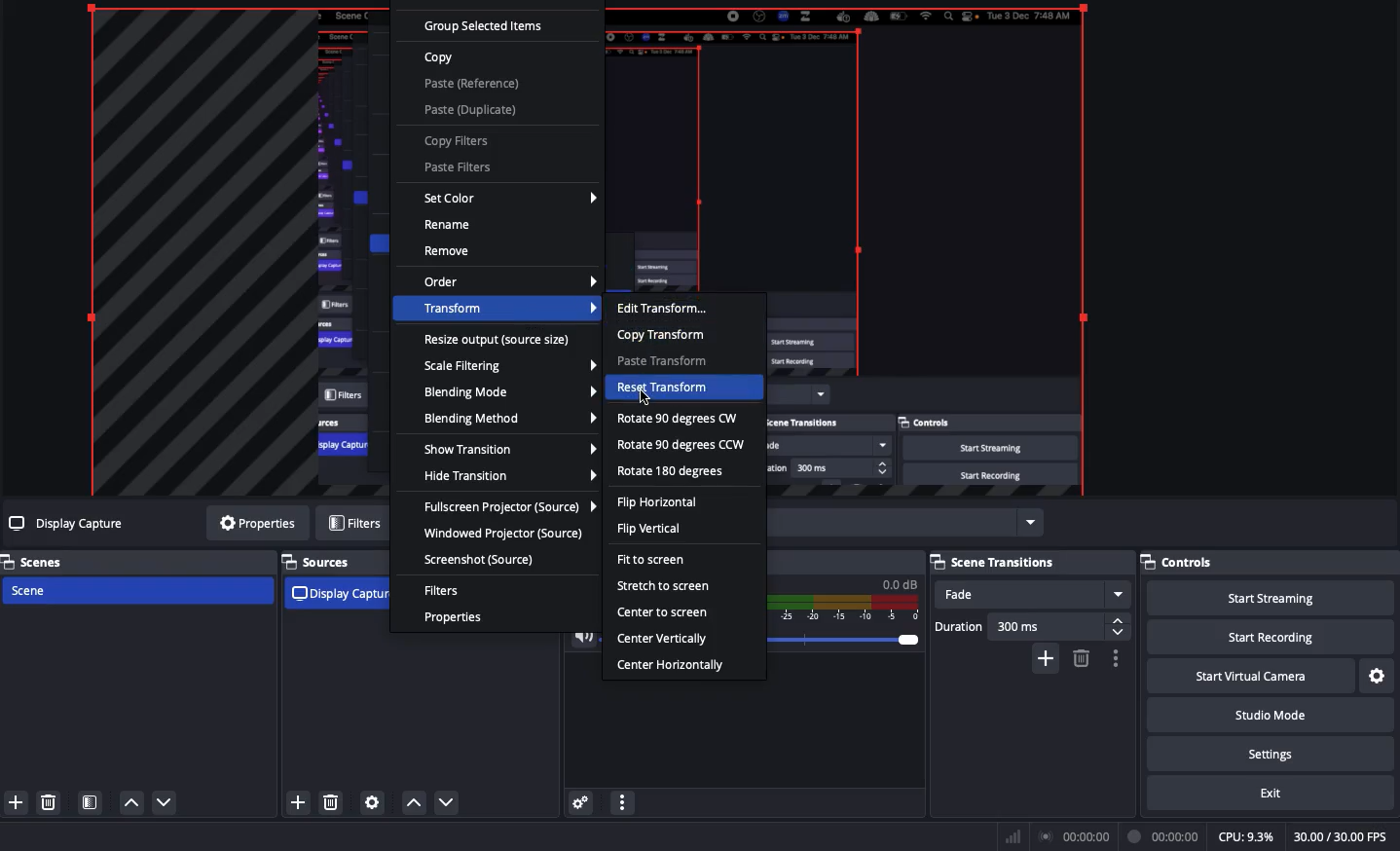 The image size is (1400, 851). What do you see at coordinates (481, 560) in the screenshot?
I see `Screenshot` at bounding box center [481, 560].